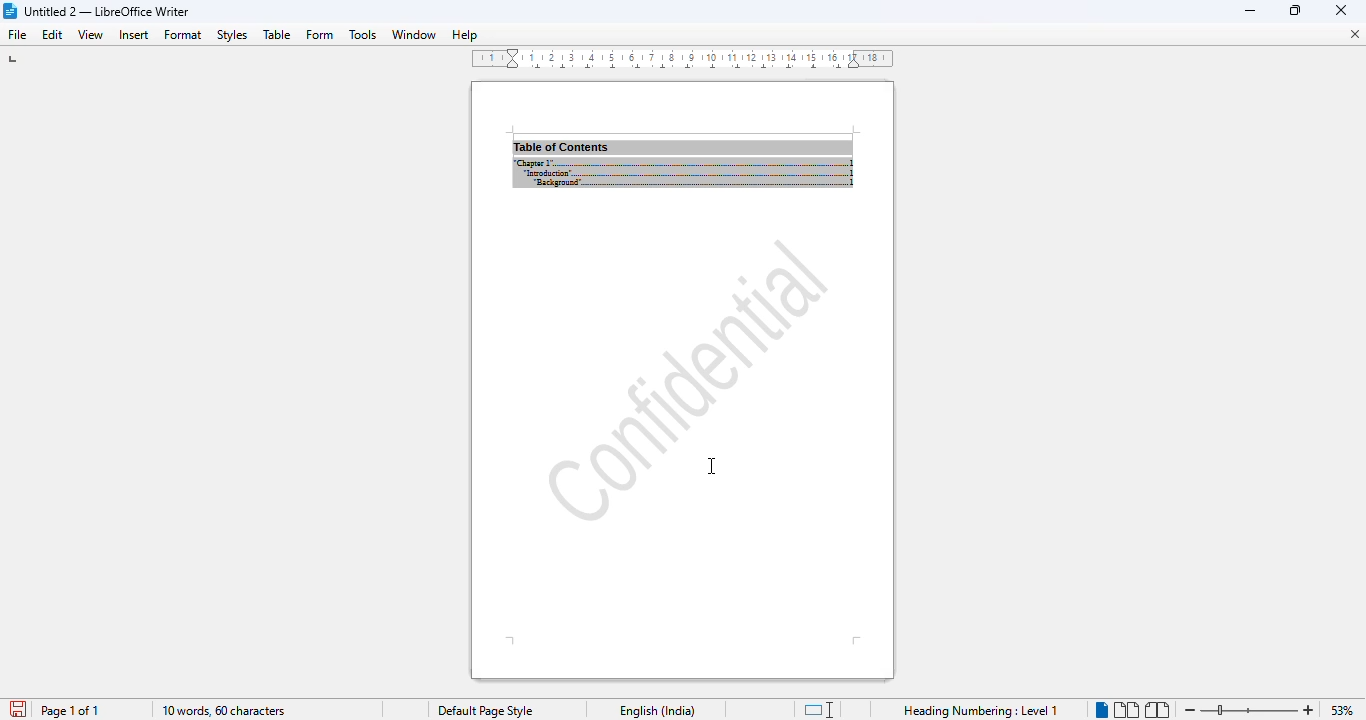 The width and height of the screenshot is (1366, 720). I want to click on ruler, so click(680, 59).